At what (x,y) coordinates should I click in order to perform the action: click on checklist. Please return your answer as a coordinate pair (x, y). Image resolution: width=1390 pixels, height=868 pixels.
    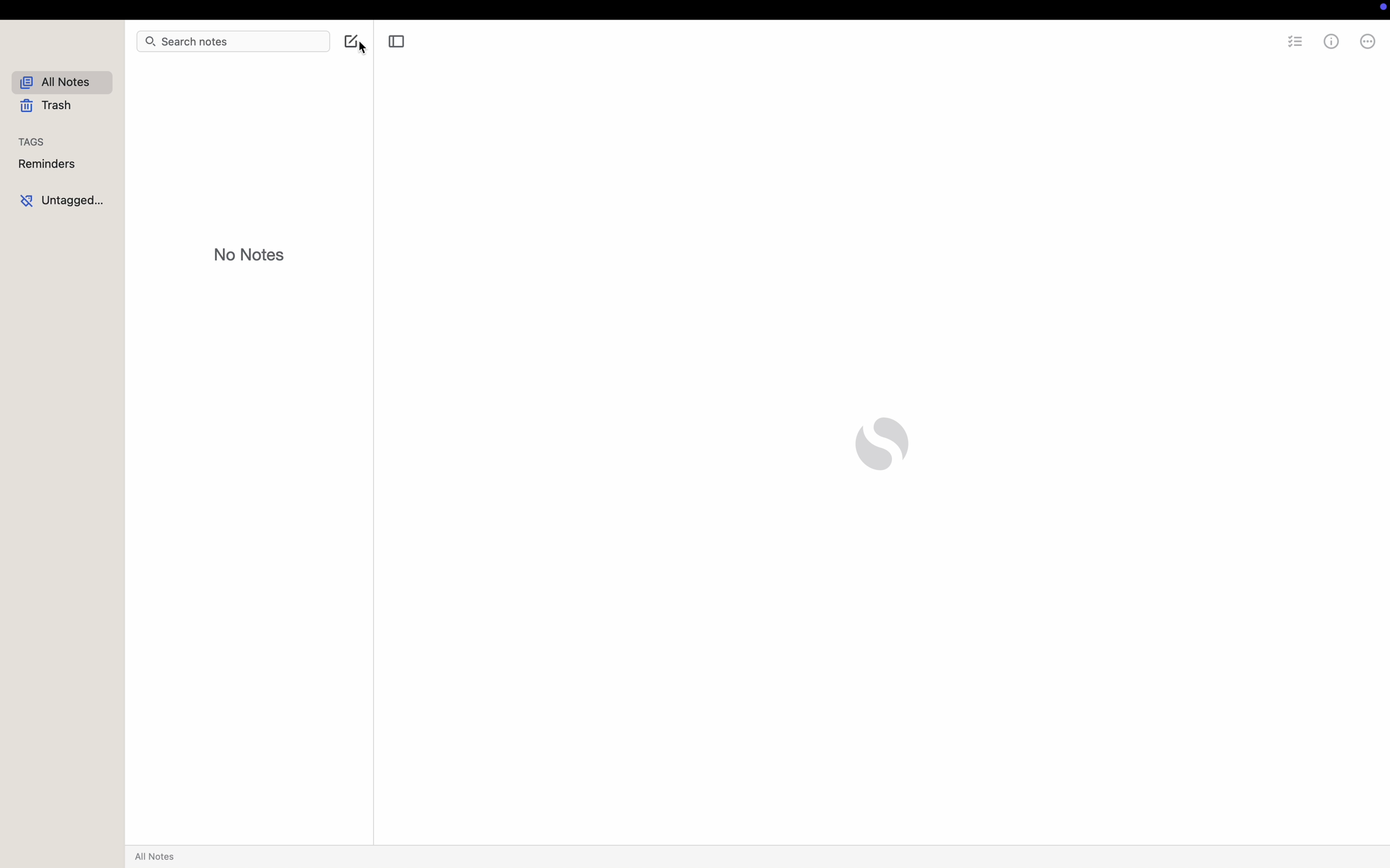
    Looking at the image, I should click on (1292, 44).